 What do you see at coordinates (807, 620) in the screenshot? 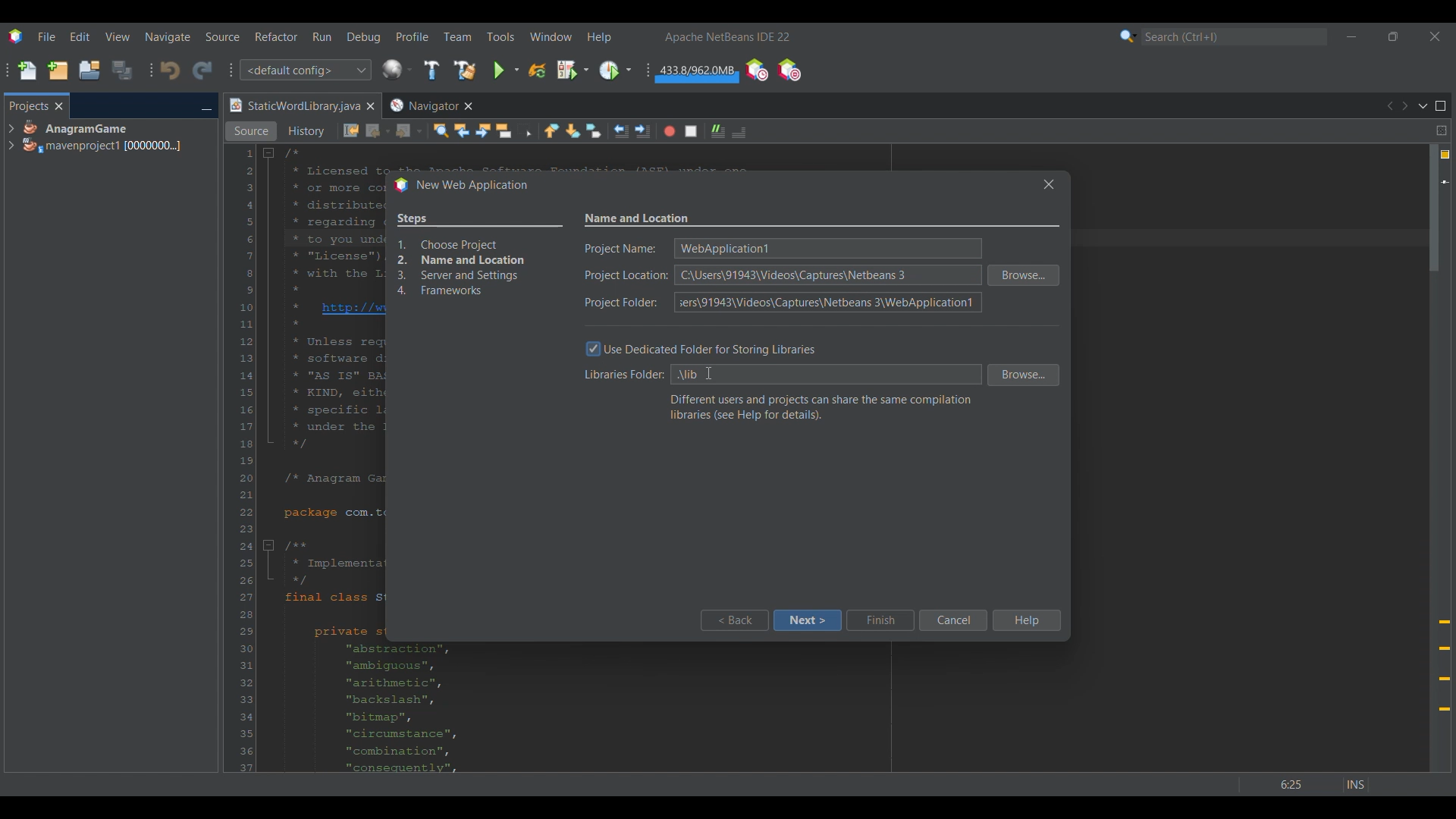
I see `Next highlighted by cursor` at bounding box center [807, 620].